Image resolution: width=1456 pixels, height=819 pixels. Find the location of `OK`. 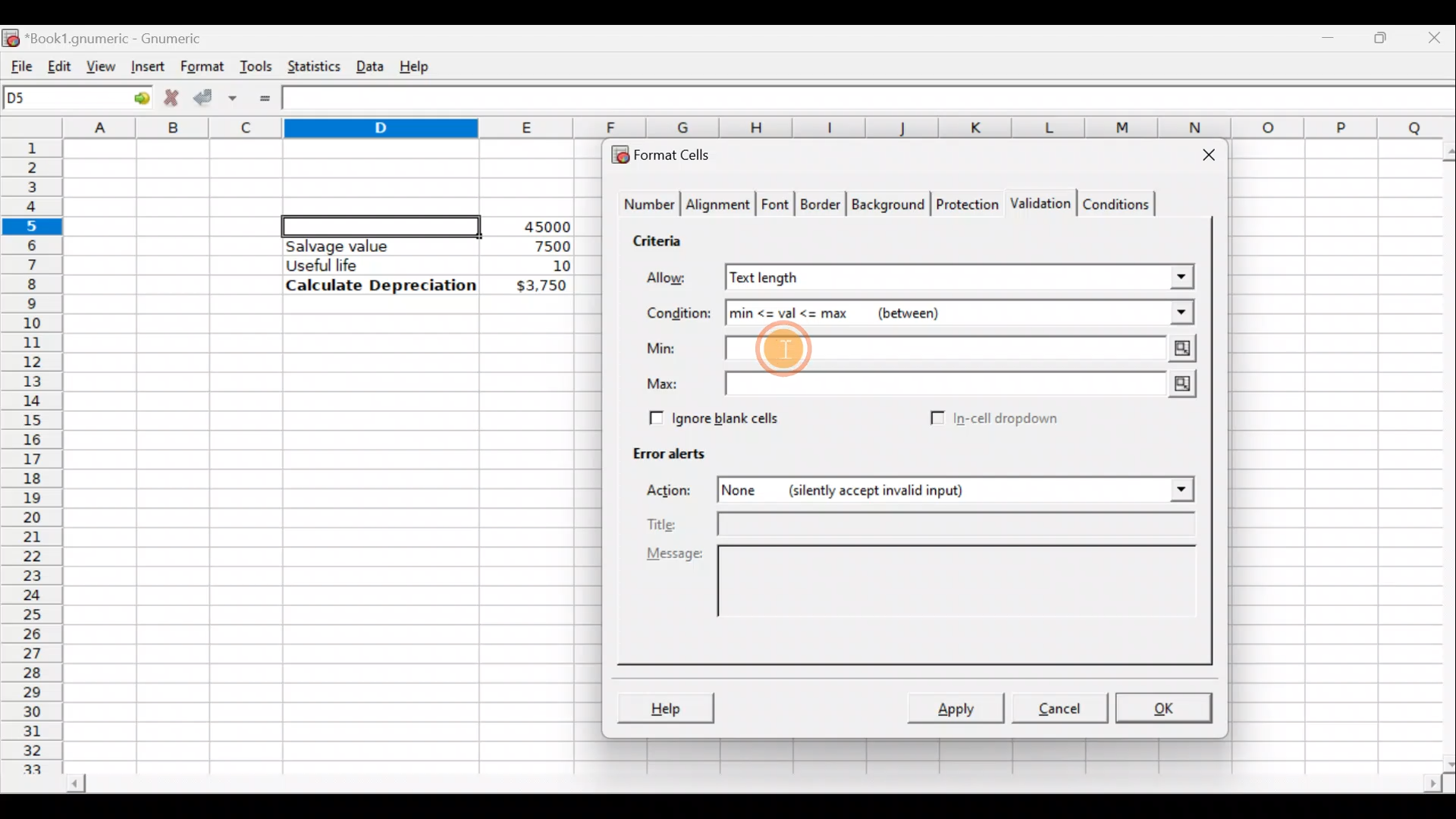

OK is located at coordinates (1166, 708).